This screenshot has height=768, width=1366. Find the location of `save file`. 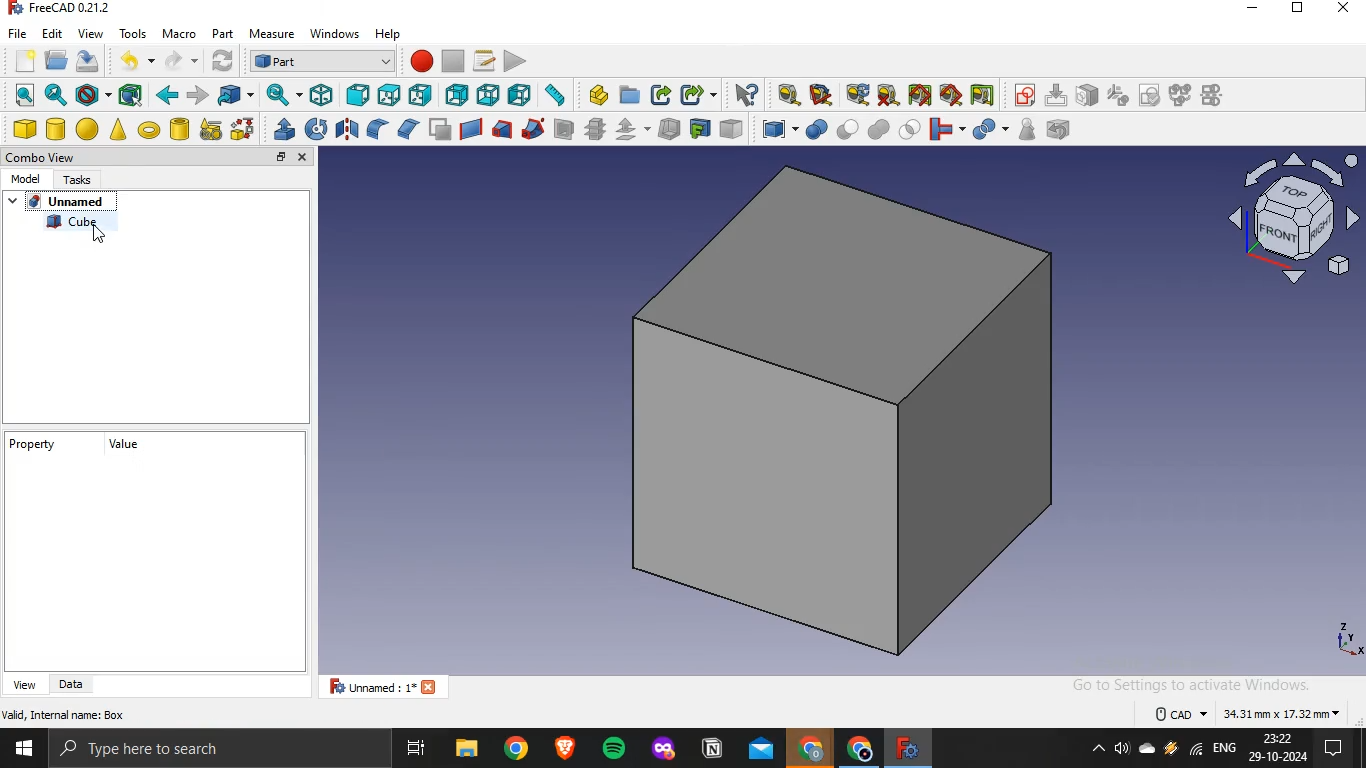

save file is located at coordinates (88, 61).